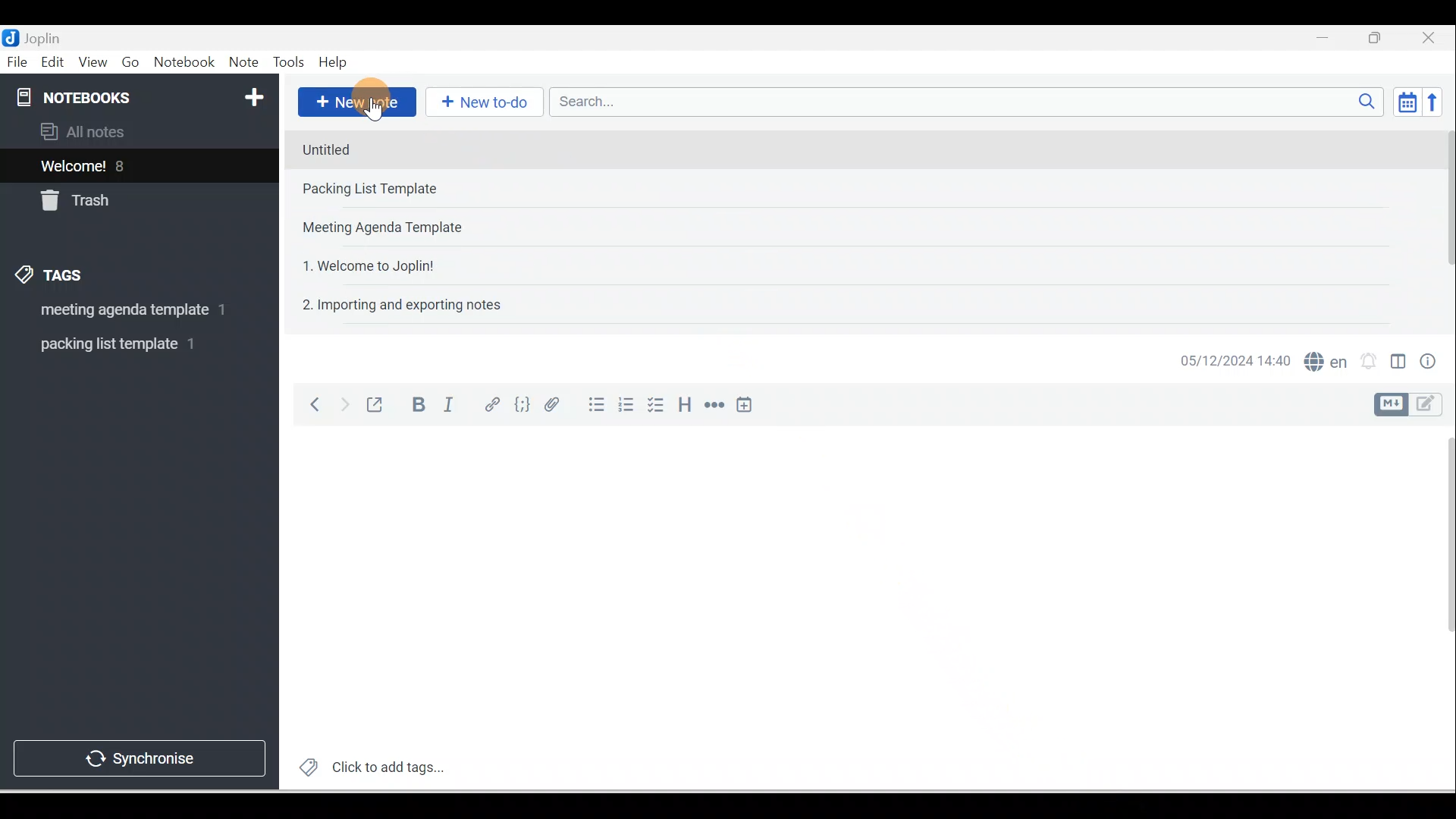 The image size is (1456, 819). Describe the element at coordinates (128, 344) in the screenshot. I see `Tag 2` at that location.